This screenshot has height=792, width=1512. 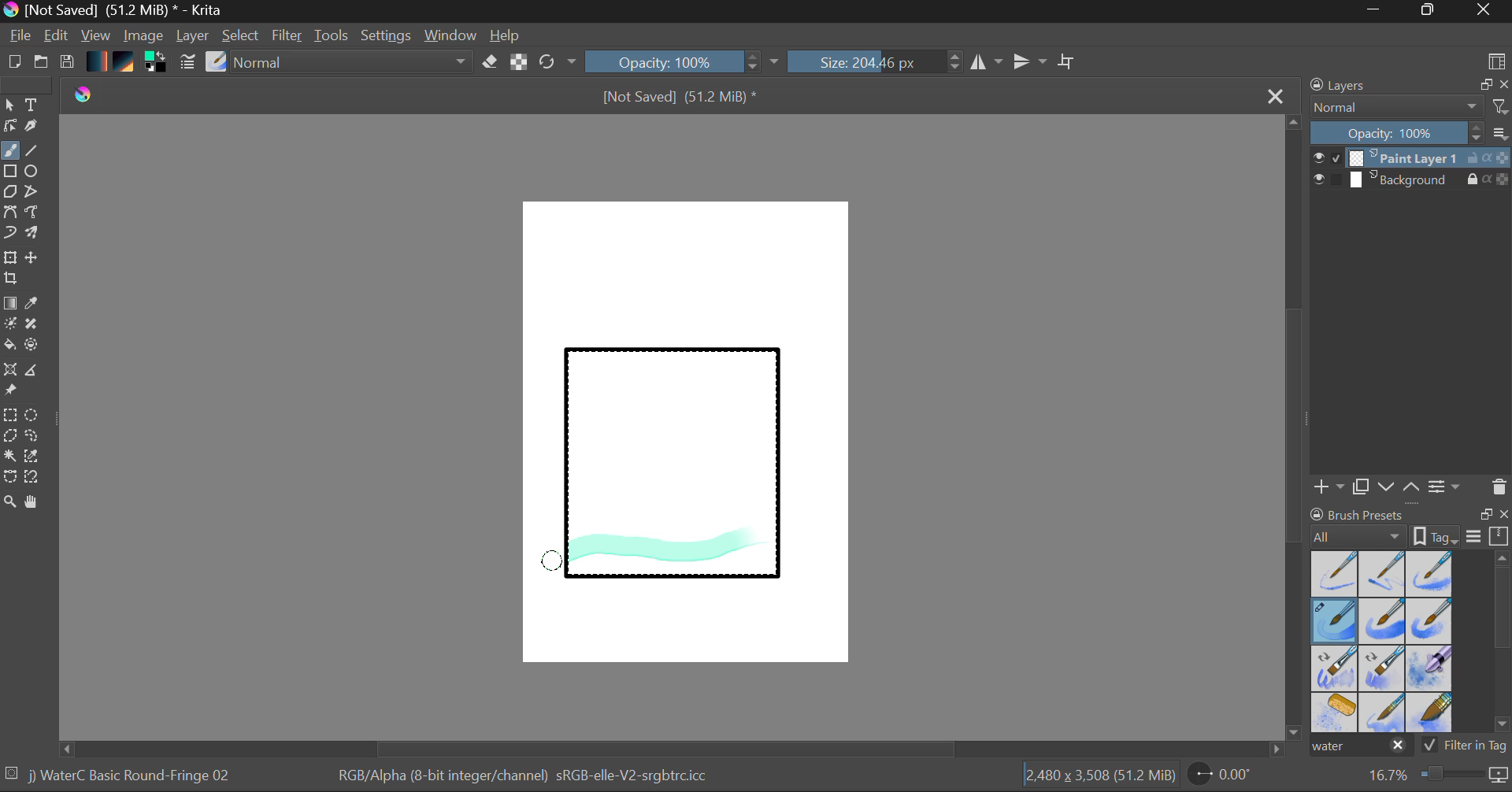 I want to click on Image, so click(x=145, y=37).